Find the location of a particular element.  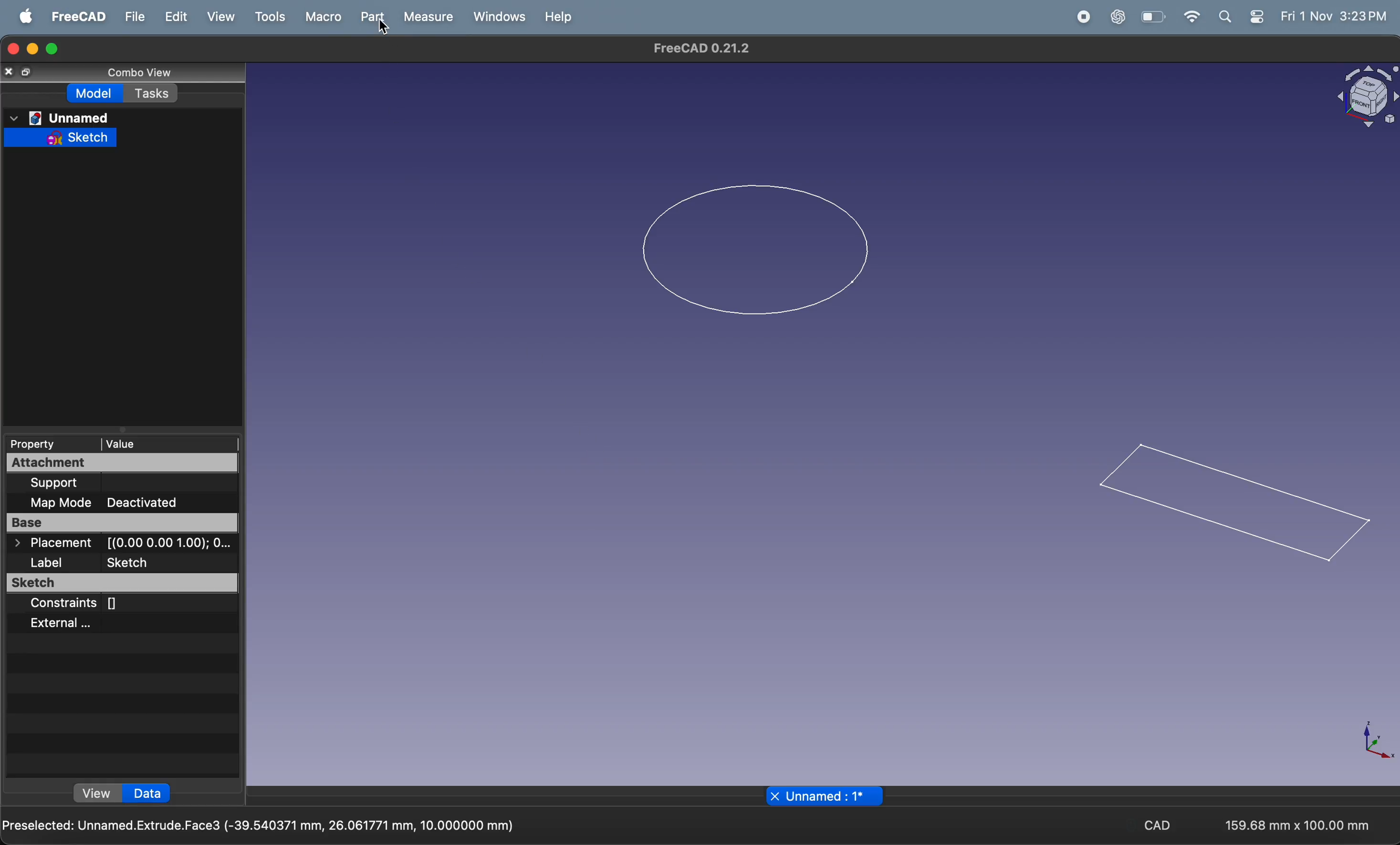

axis is located at coordinates (1373, 741).